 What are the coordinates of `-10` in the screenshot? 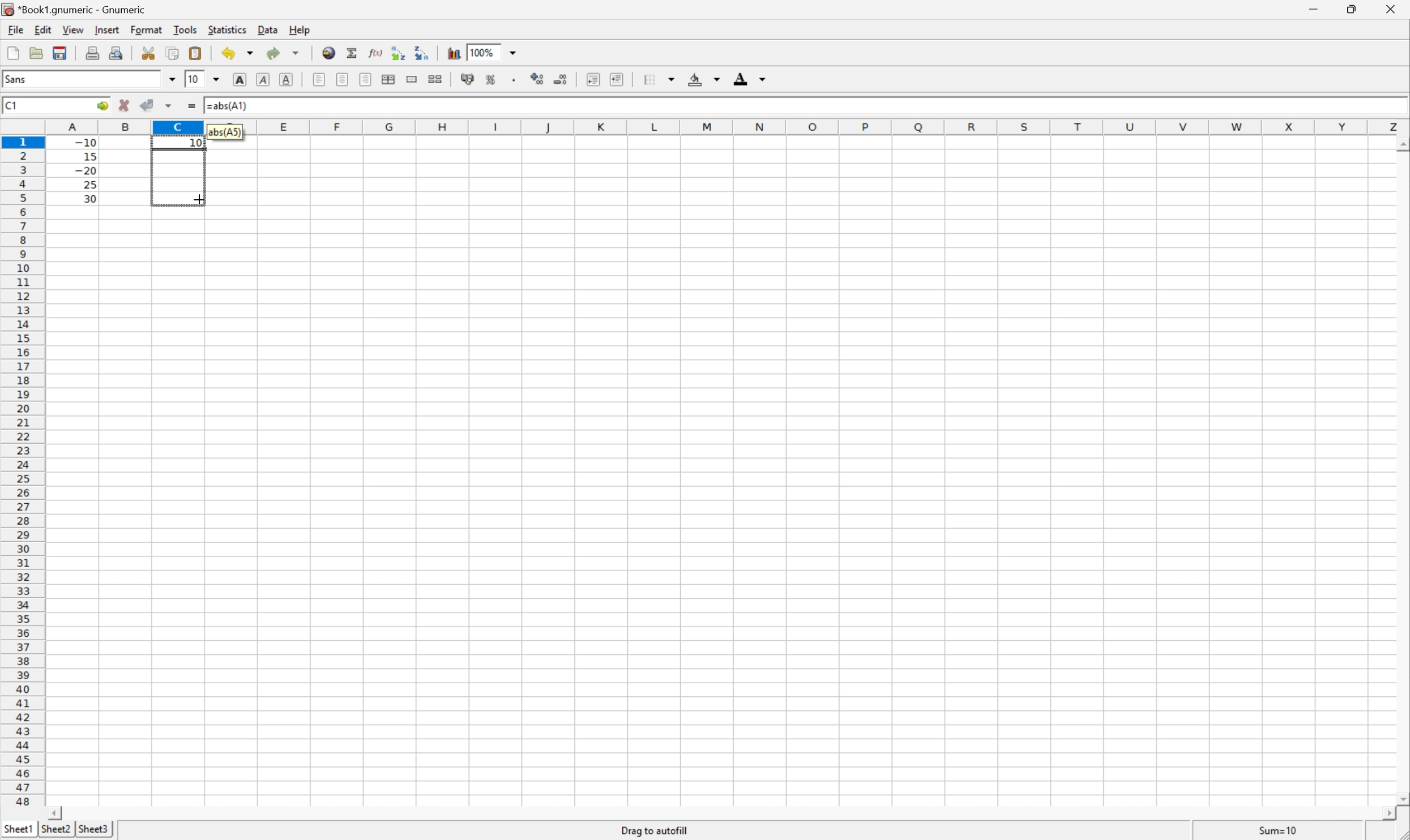 It's located at (86, 141).